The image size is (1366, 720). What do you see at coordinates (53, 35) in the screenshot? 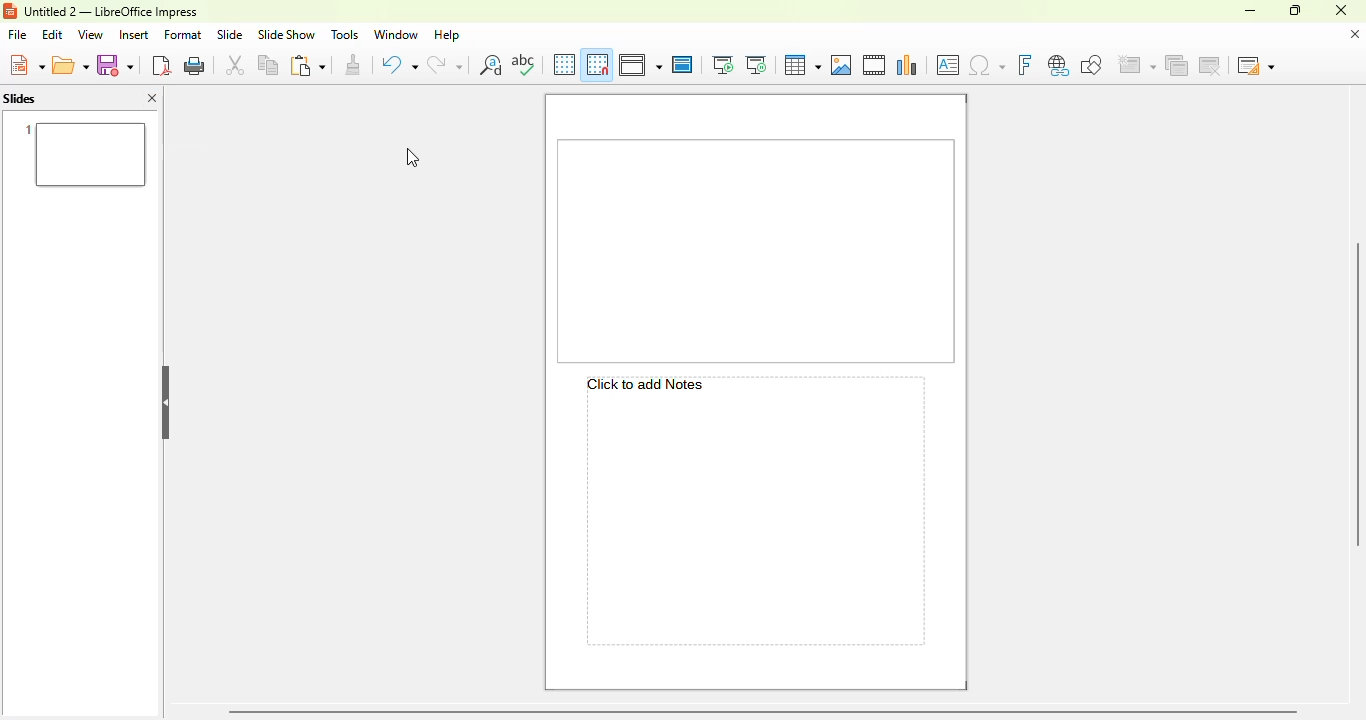
I see `edit` at bounding box center [53, 35].